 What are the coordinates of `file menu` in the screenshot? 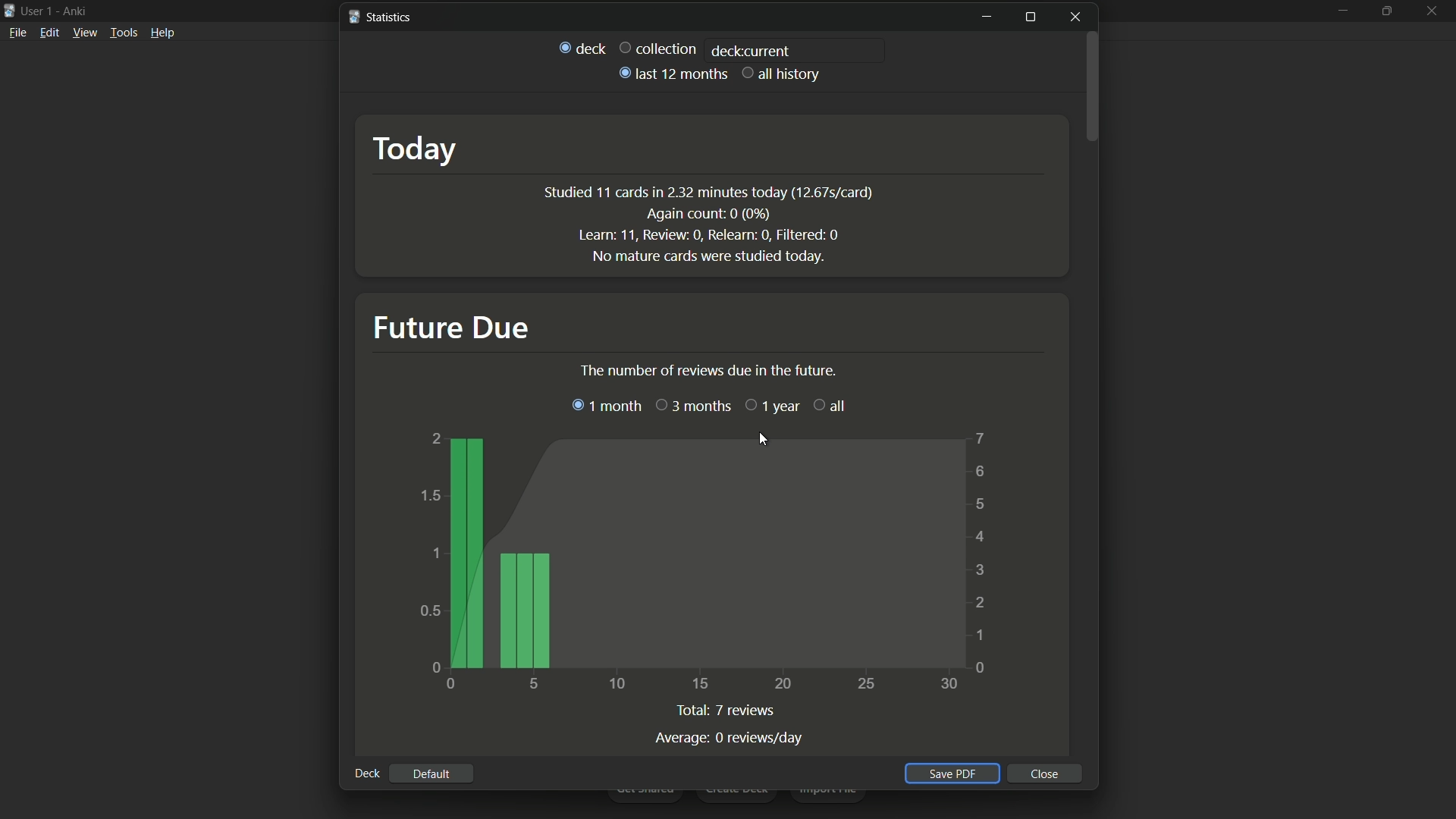 It's located at (18, 32).